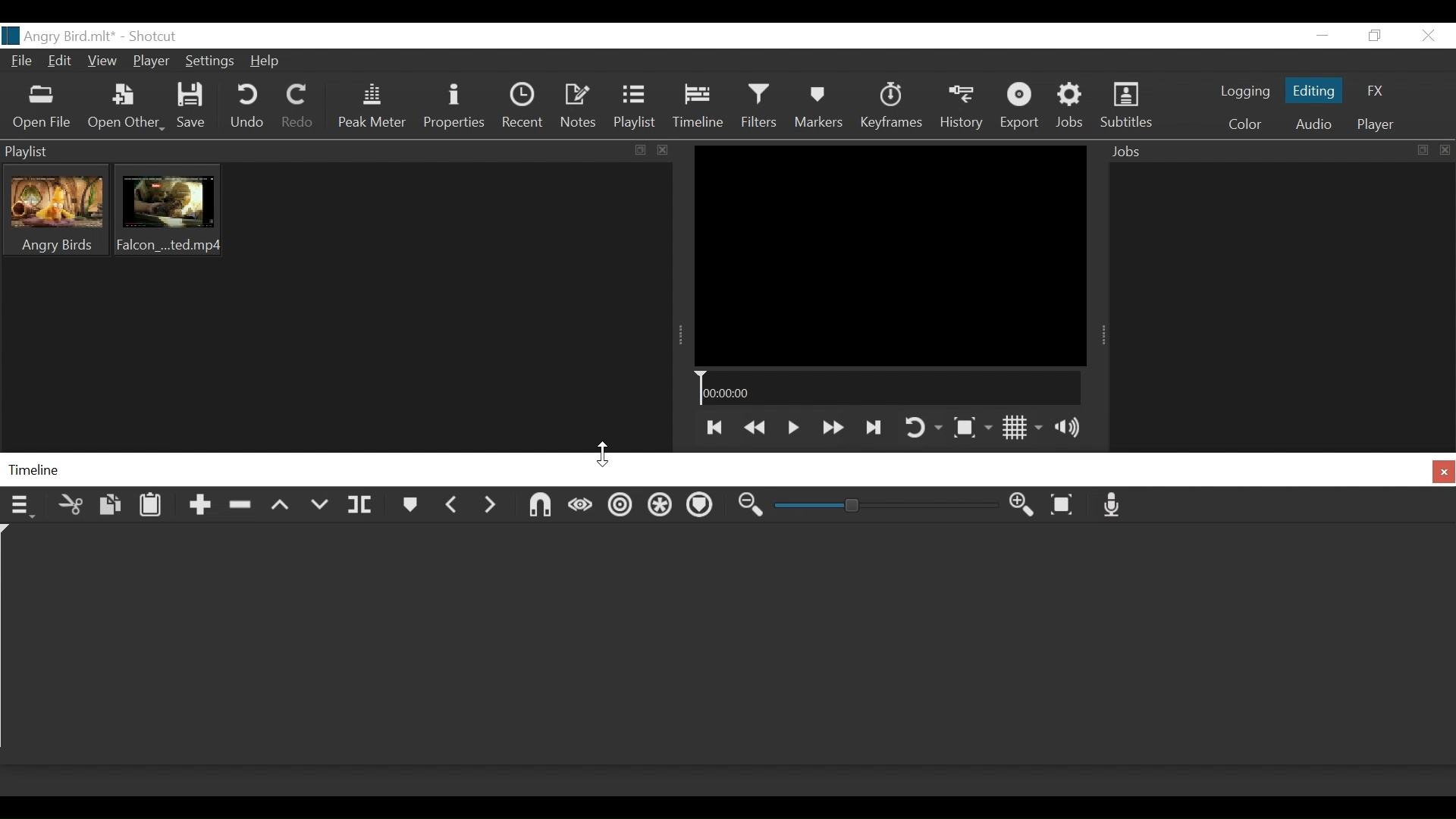  What do you see at coordinates (1373, 36) in the screenshot?
I see `Restore` at bounding box center [1373, 36].